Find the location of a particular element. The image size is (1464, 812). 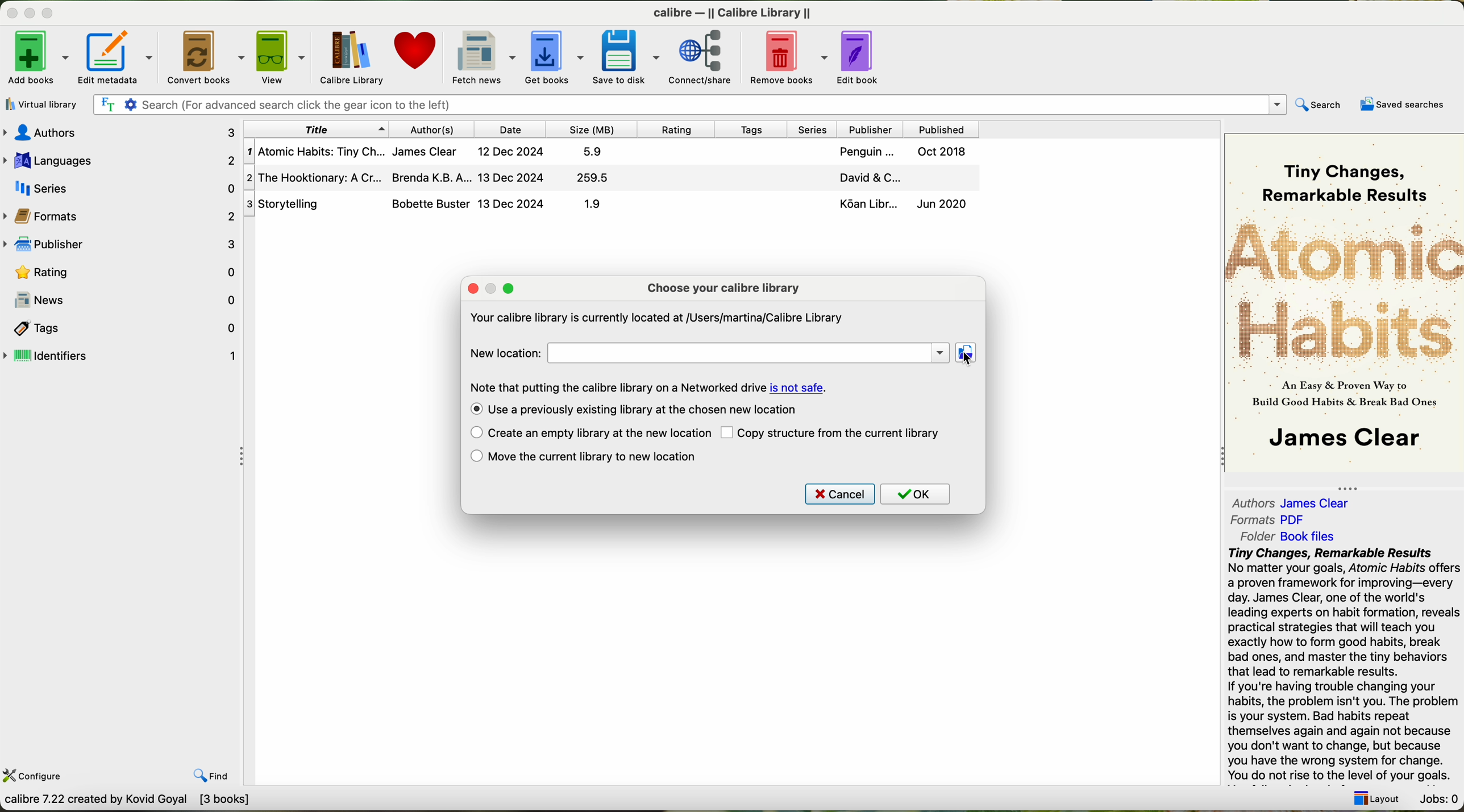

authors is located at coordinates (1249, 501).